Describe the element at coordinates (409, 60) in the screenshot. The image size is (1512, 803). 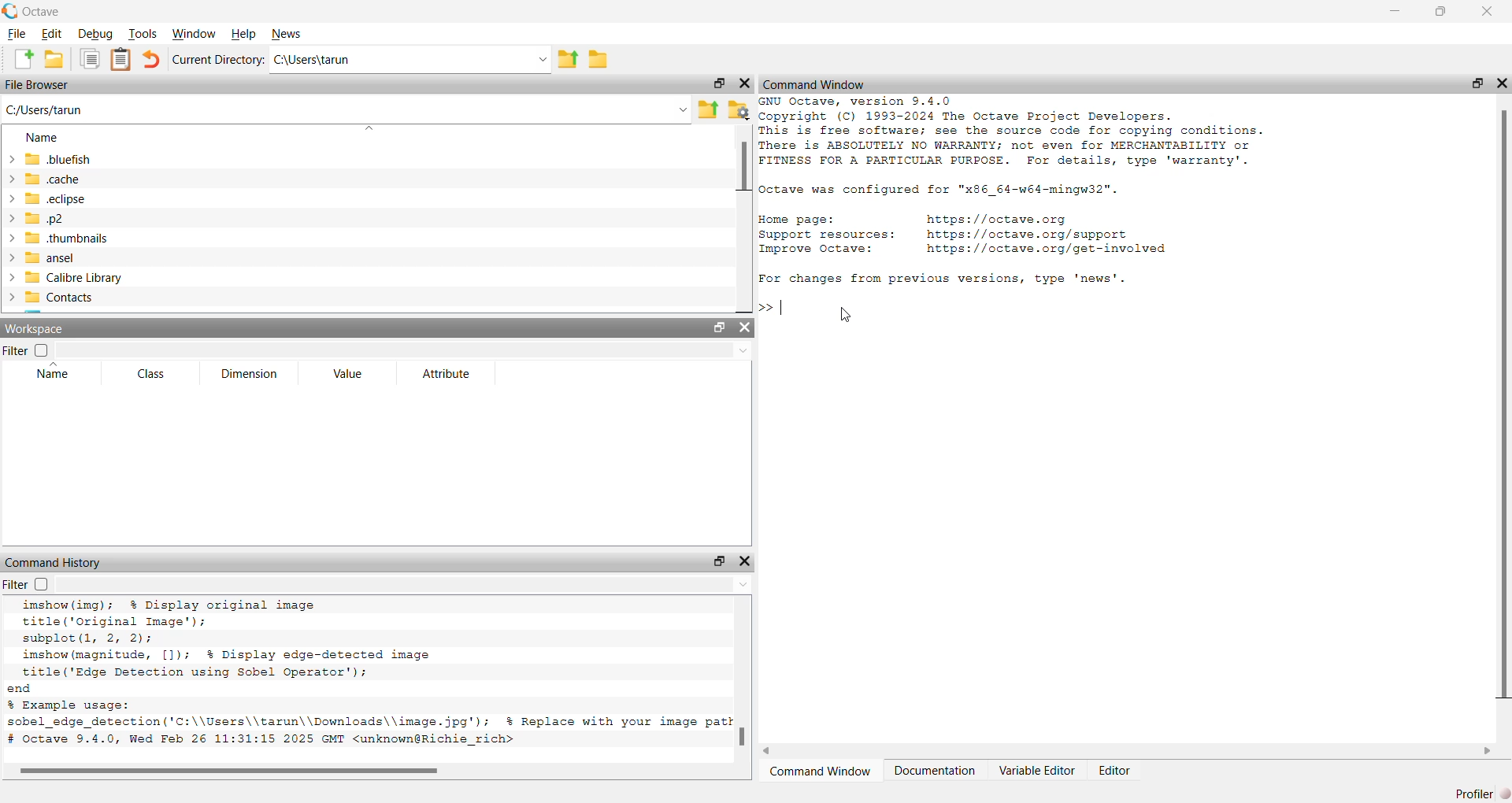
I see `C\Users\tarun v` at that location.